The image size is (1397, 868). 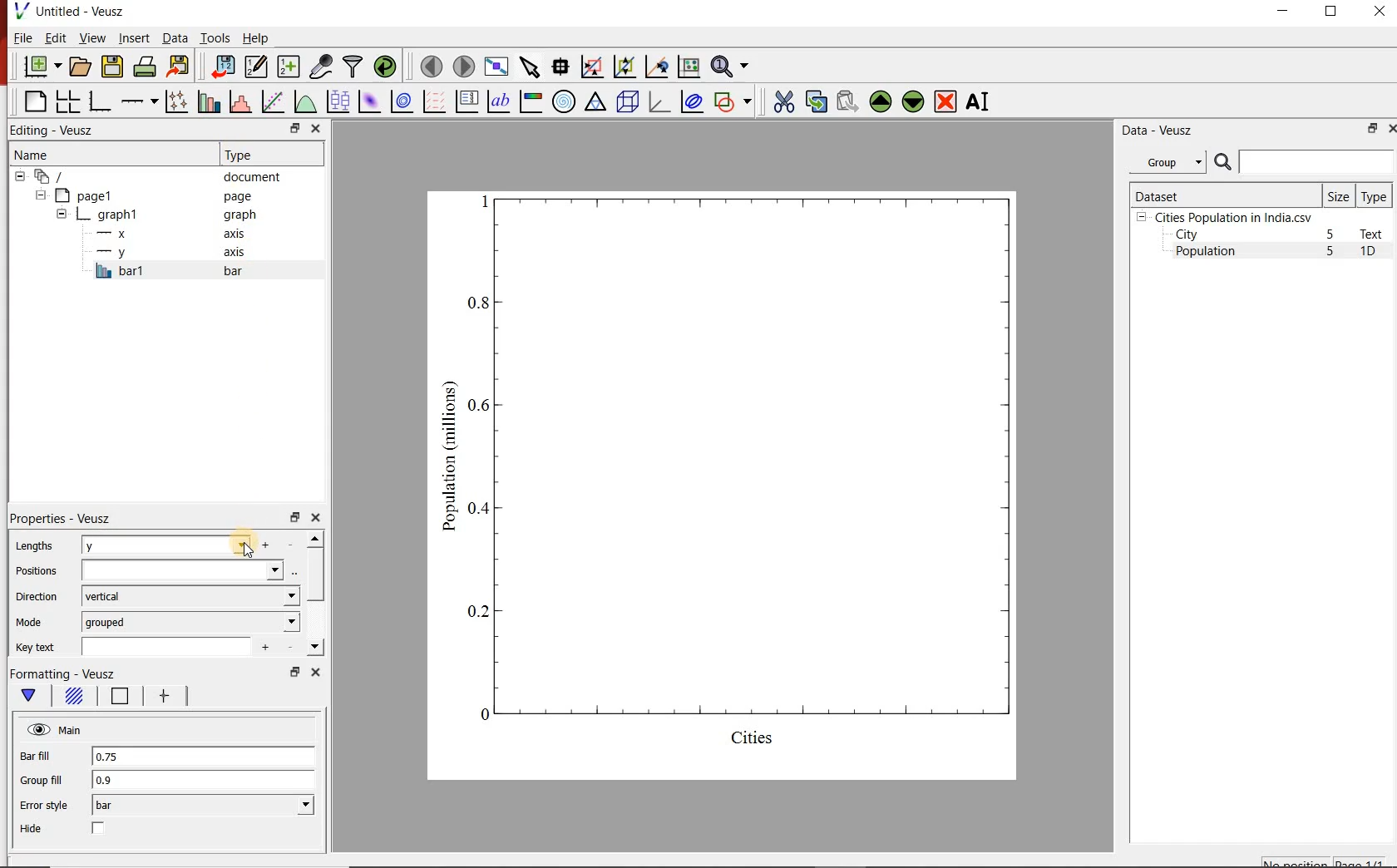 What do you see at coordinates (173, 234) in the screenshot?
I see `x axis` at bounding box center [173, 234].